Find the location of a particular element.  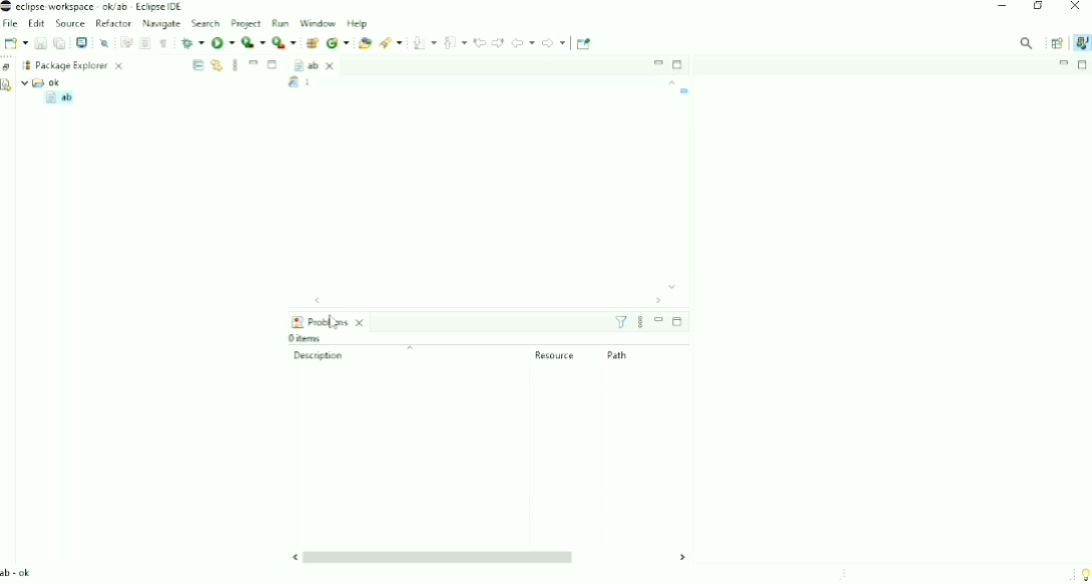

Minimize is located at coordinates (254, 63).